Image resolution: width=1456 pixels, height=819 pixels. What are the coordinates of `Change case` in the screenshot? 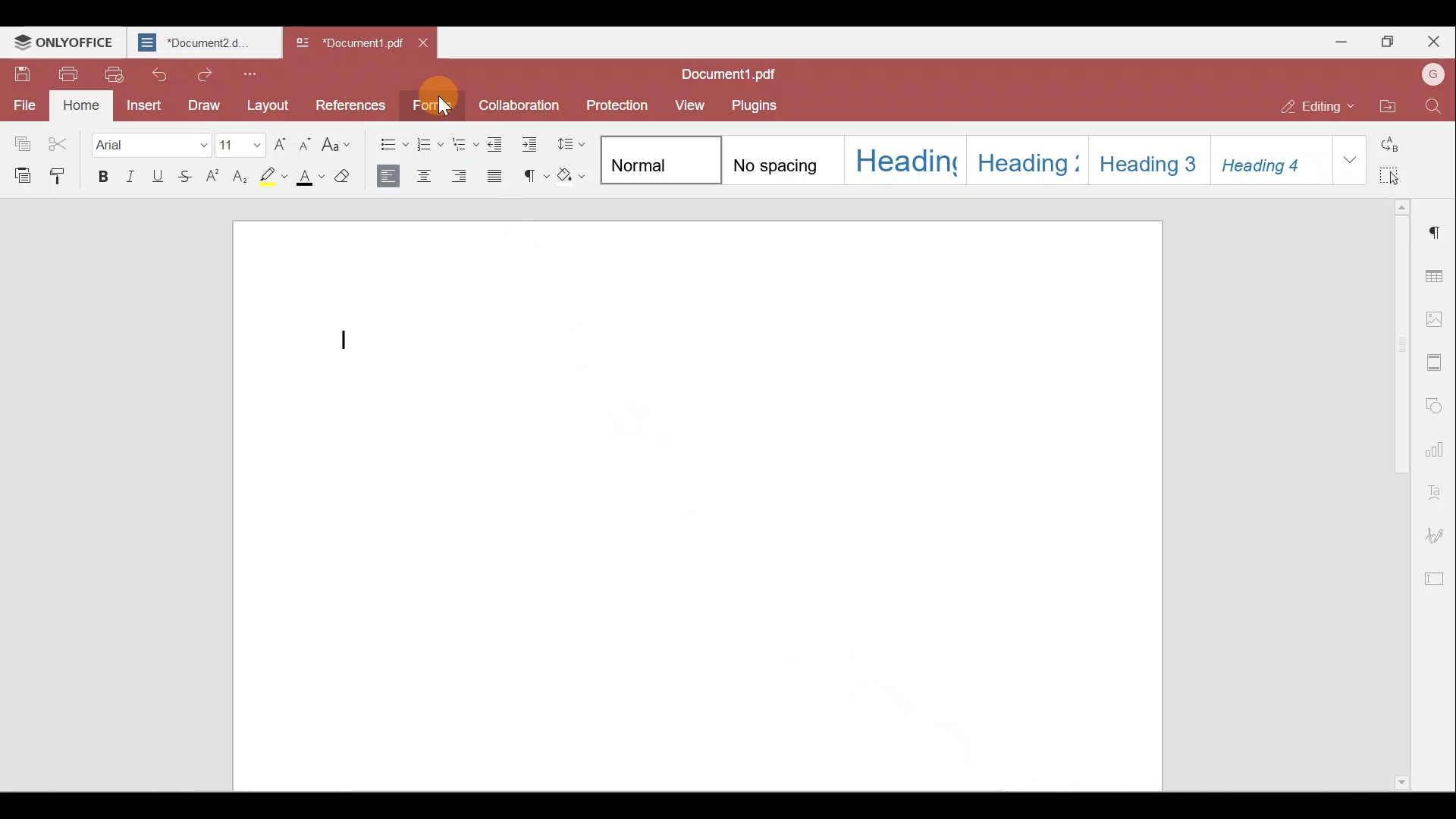 It's located at (341, 145).